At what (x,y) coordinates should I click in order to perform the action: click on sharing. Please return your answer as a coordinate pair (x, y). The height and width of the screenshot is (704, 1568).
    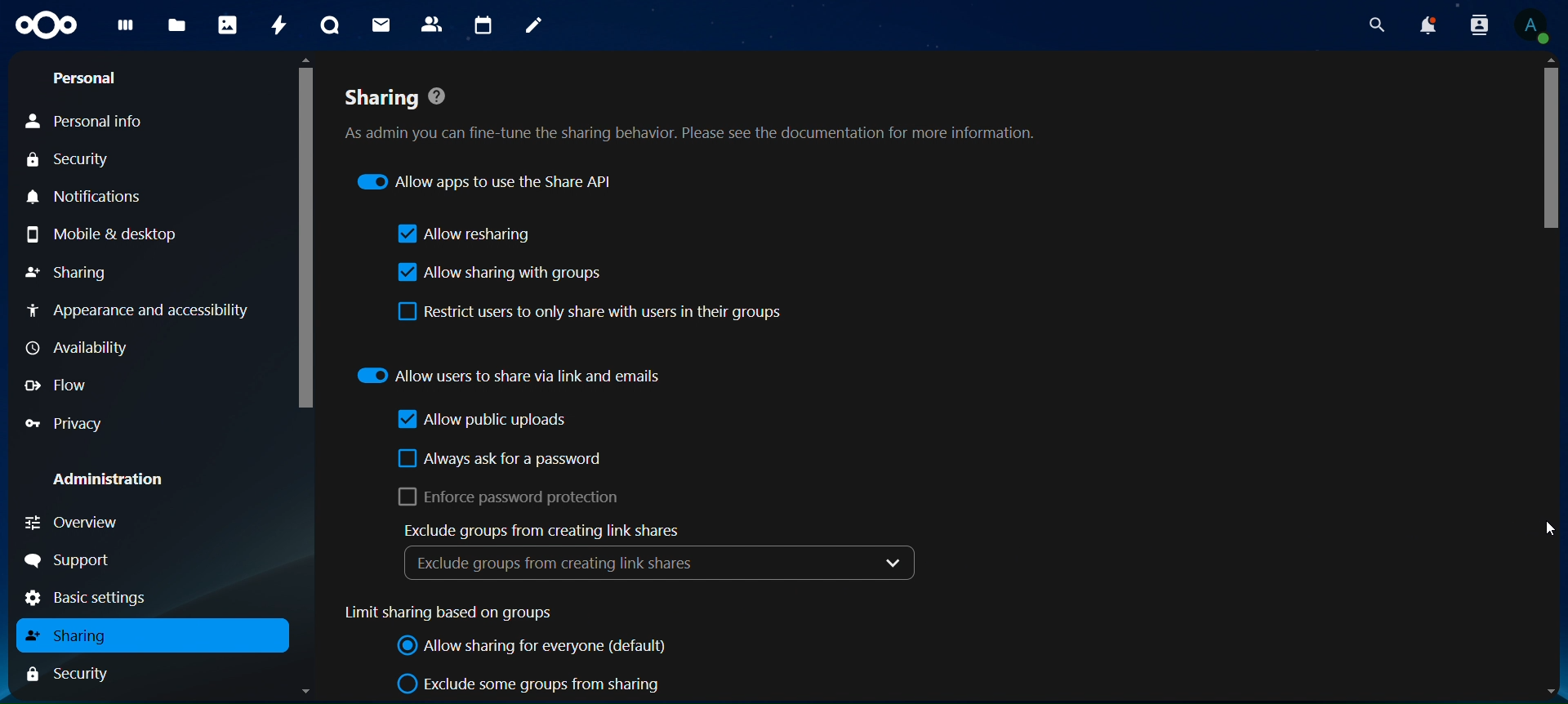
    Looking at the image, I should click on (692, 118).